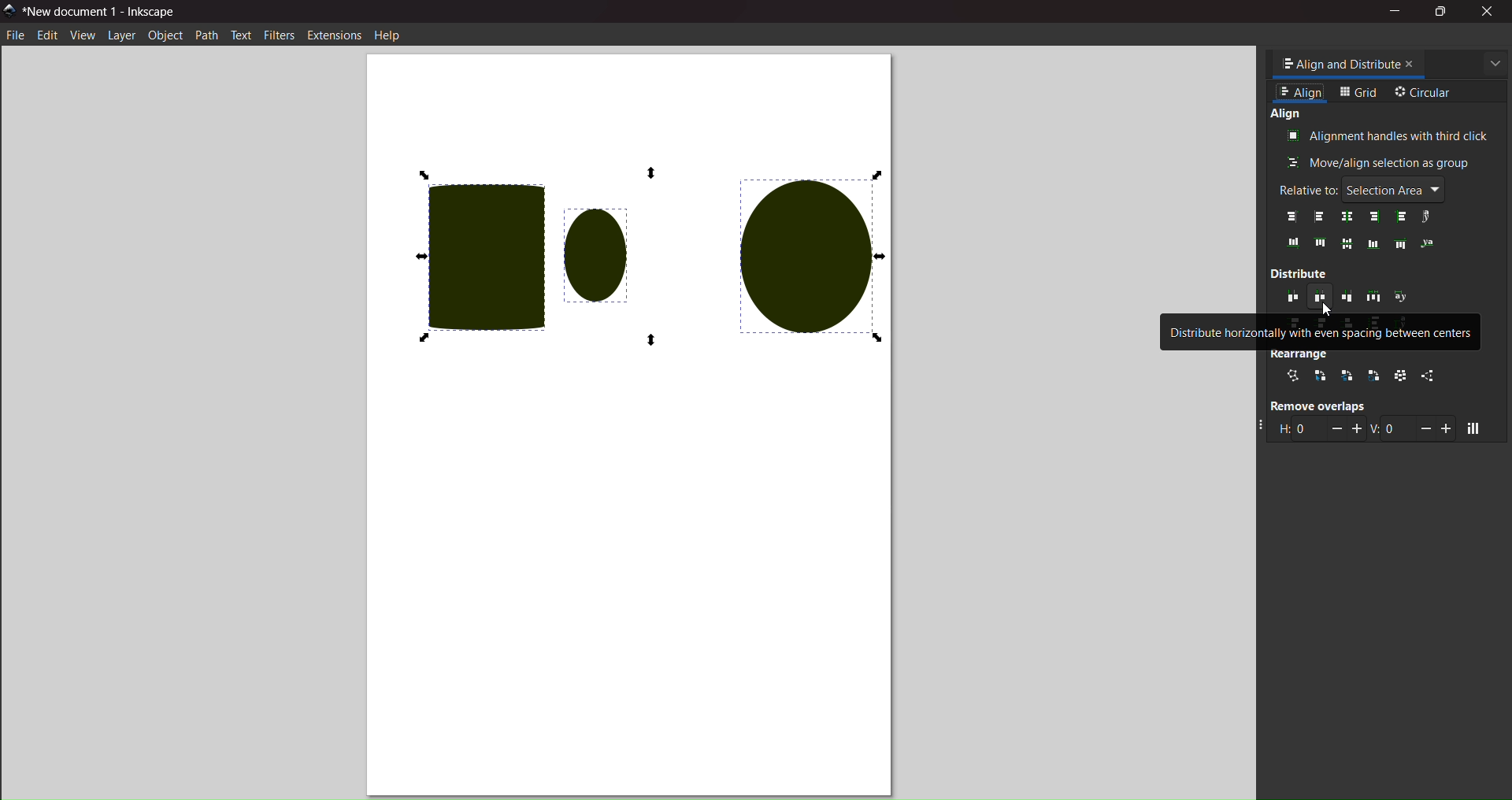 The width and height of the screenshot is (1512, 800). Describe the element at coordinates (1324, 309) in the screenshot. I see `cursor` at that location.